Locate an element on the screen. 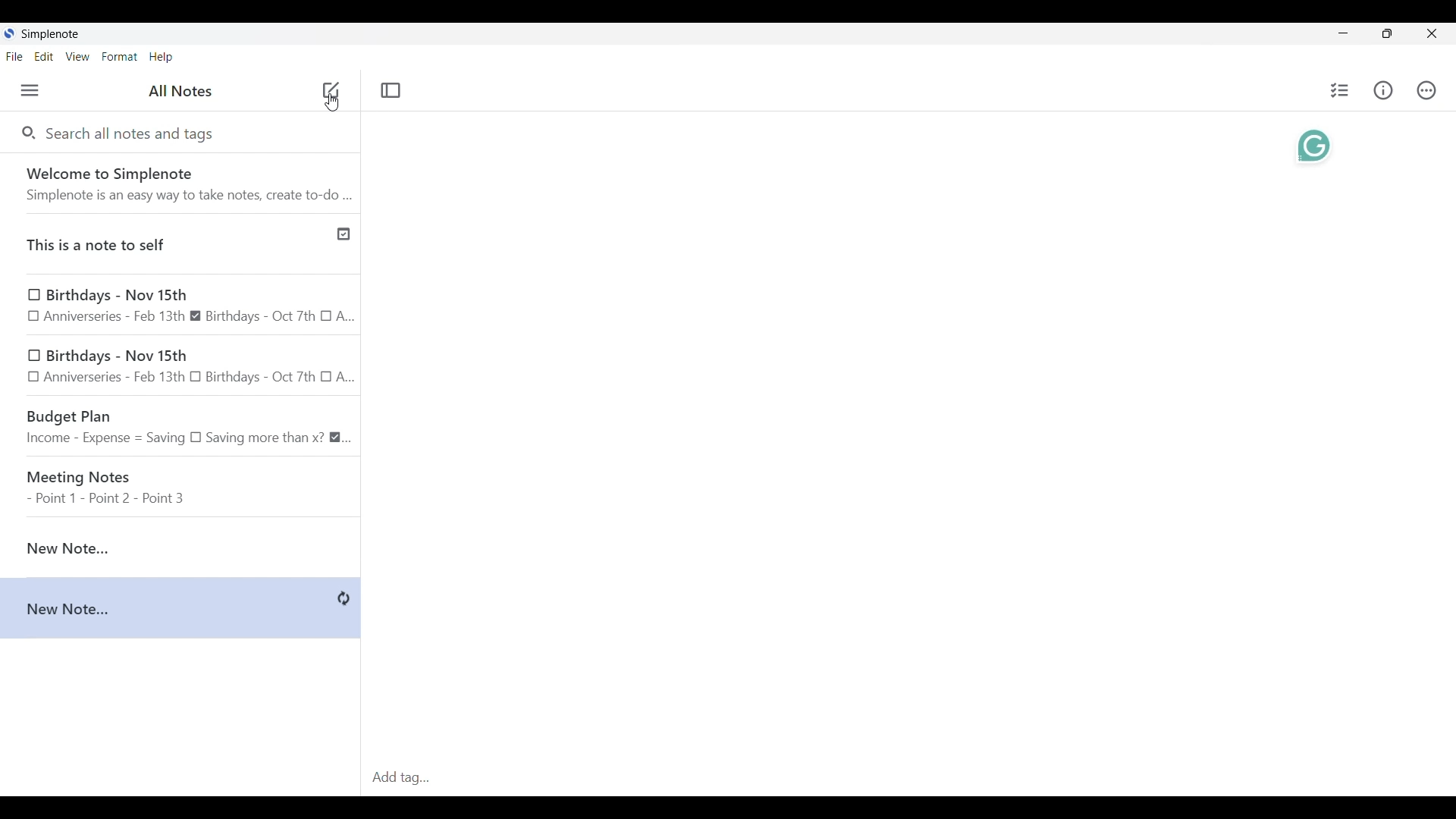  Edit menu is located at coordinates (44, 56).